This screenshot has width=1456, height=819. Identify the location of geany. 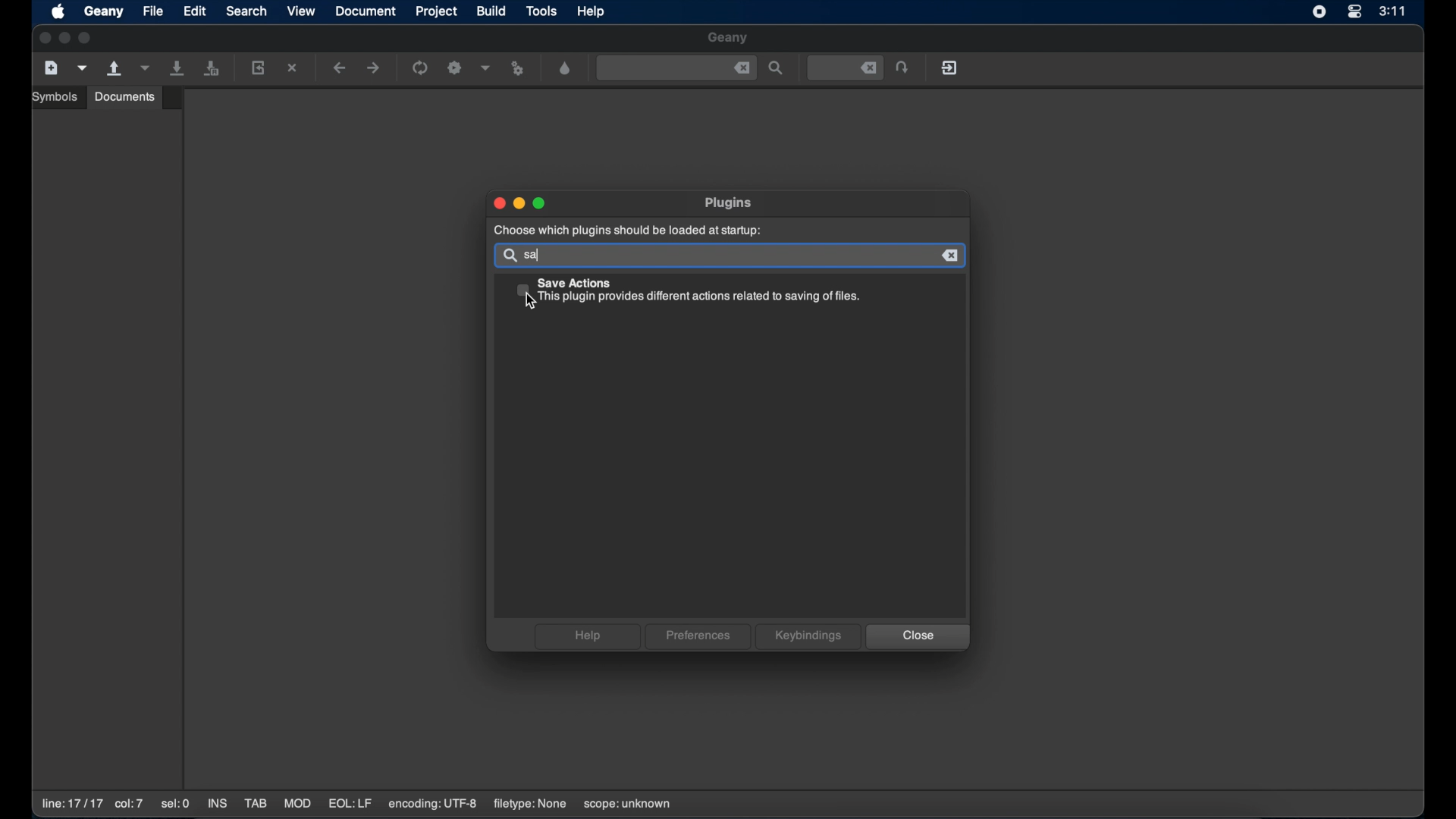
(104, 12).